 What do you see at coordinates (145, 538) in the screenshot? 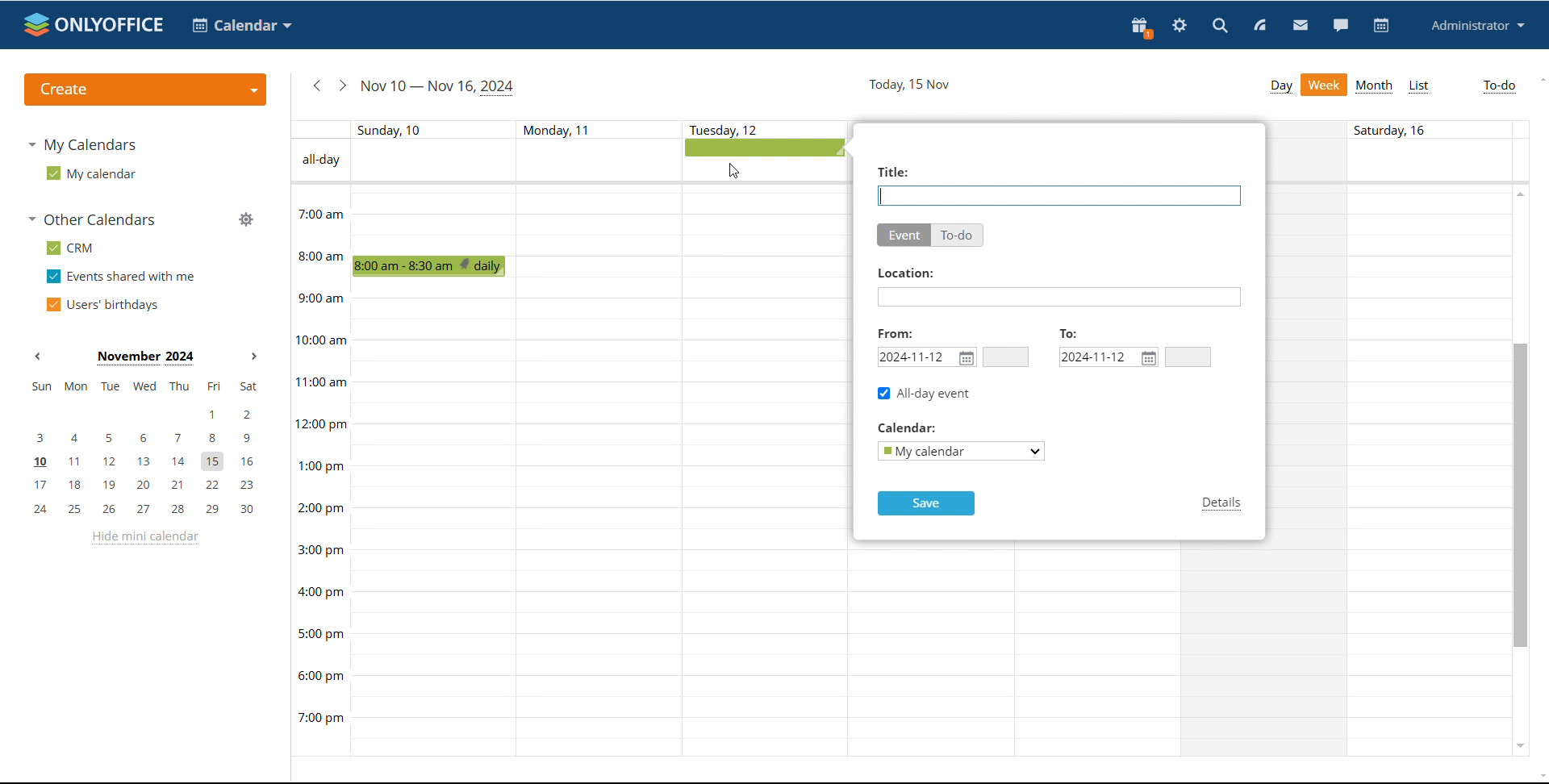
I see `hide mini calendar` at bounding box center [145, 538].